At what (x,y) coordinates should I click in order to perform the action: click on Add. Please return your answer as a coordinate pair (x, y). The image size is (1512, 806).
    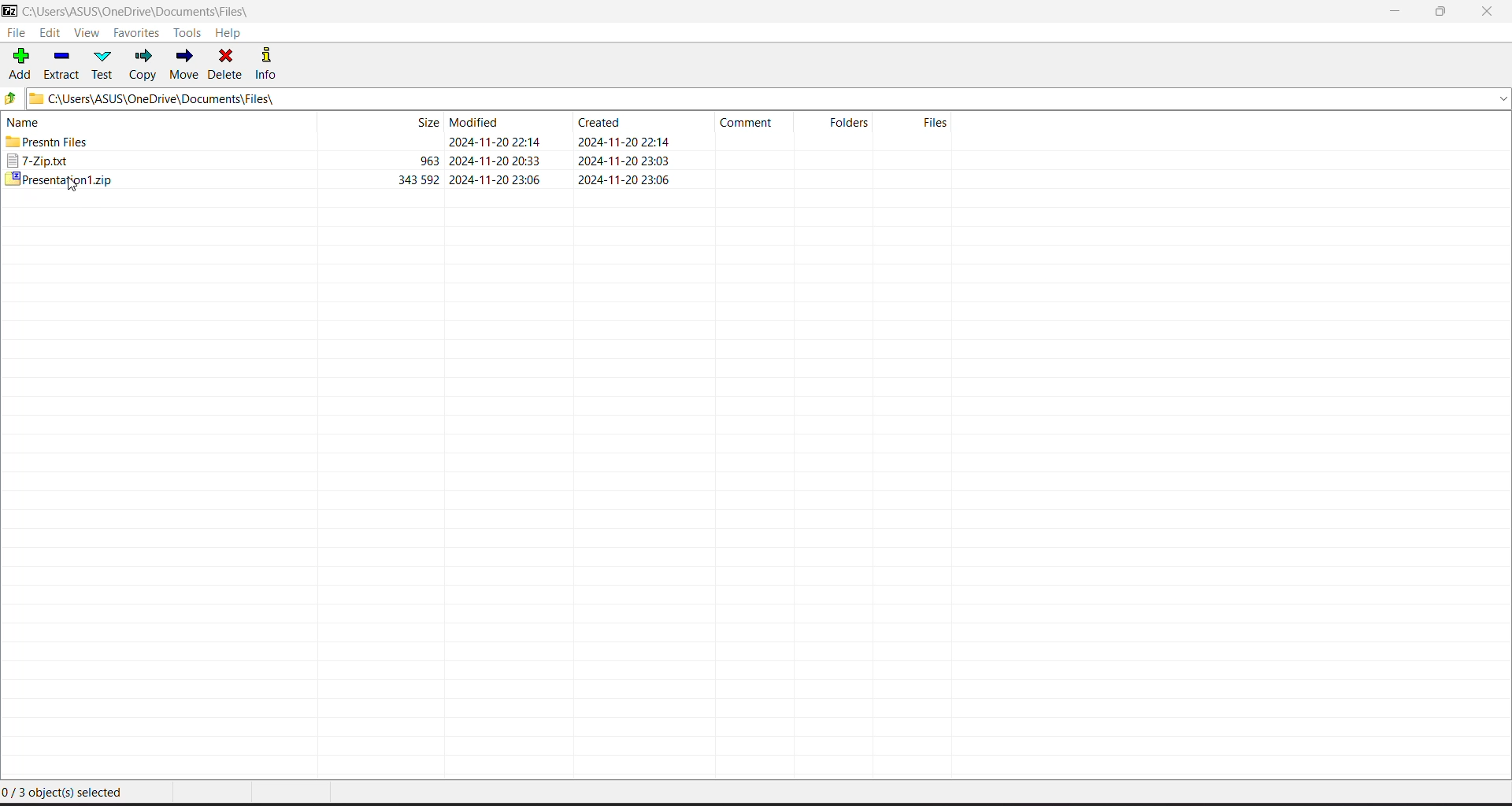
    Looking at the image, I should click on (20, 62).